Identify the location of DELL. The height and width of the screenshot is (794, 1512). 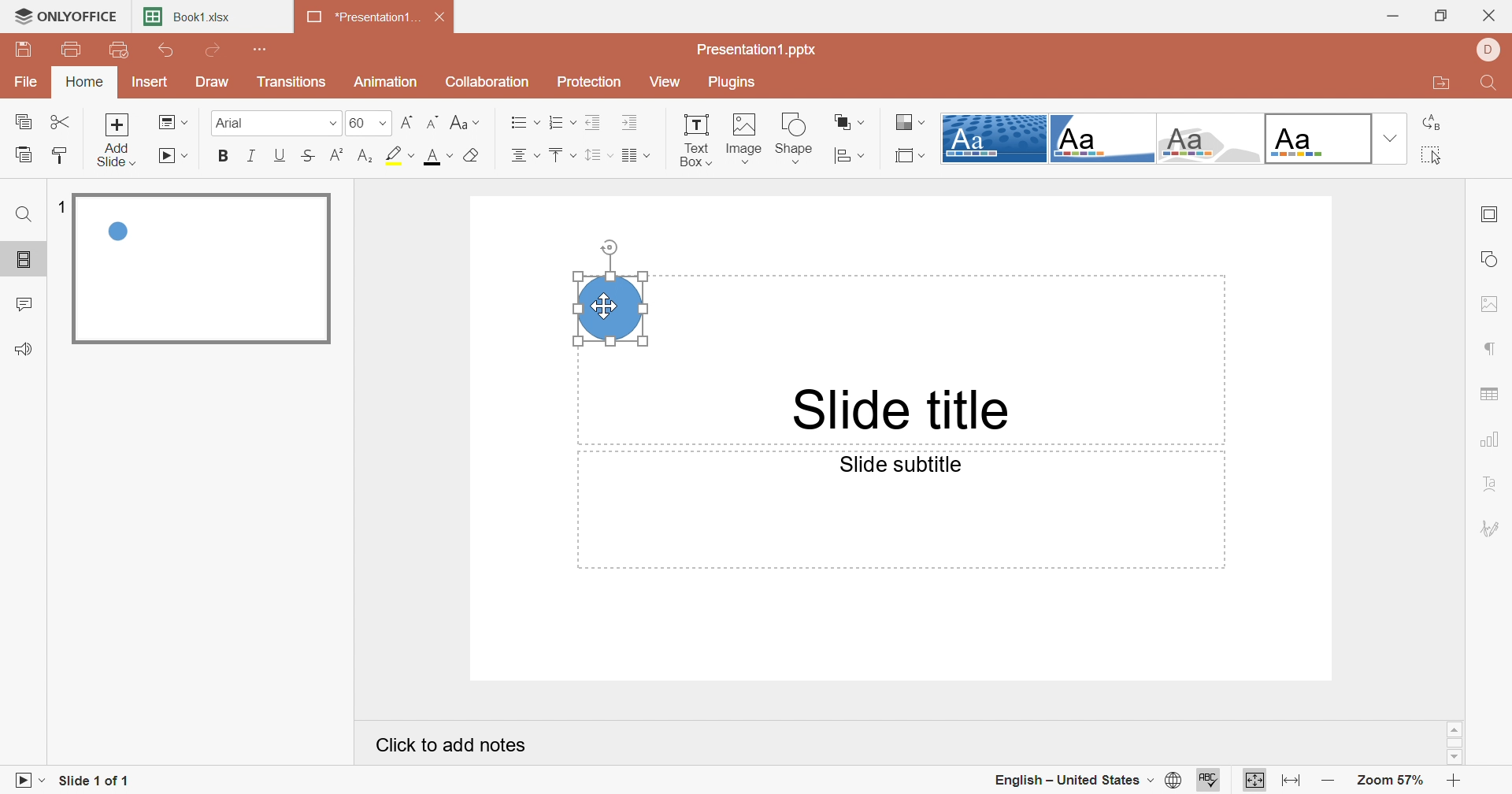
(1489, 49).